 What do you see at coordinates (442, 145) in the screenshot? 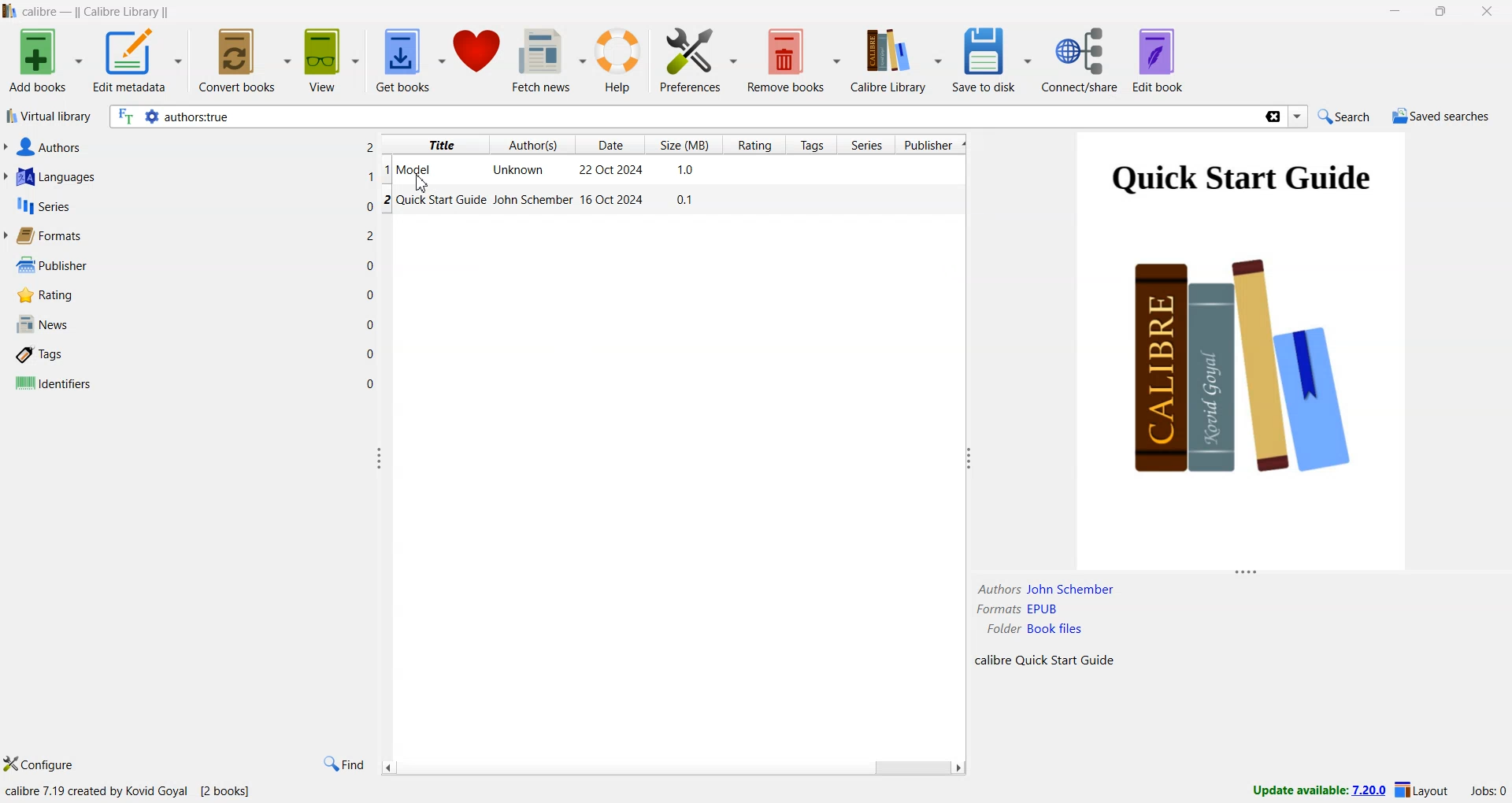
I see `title` at bounding box center [442, 145].